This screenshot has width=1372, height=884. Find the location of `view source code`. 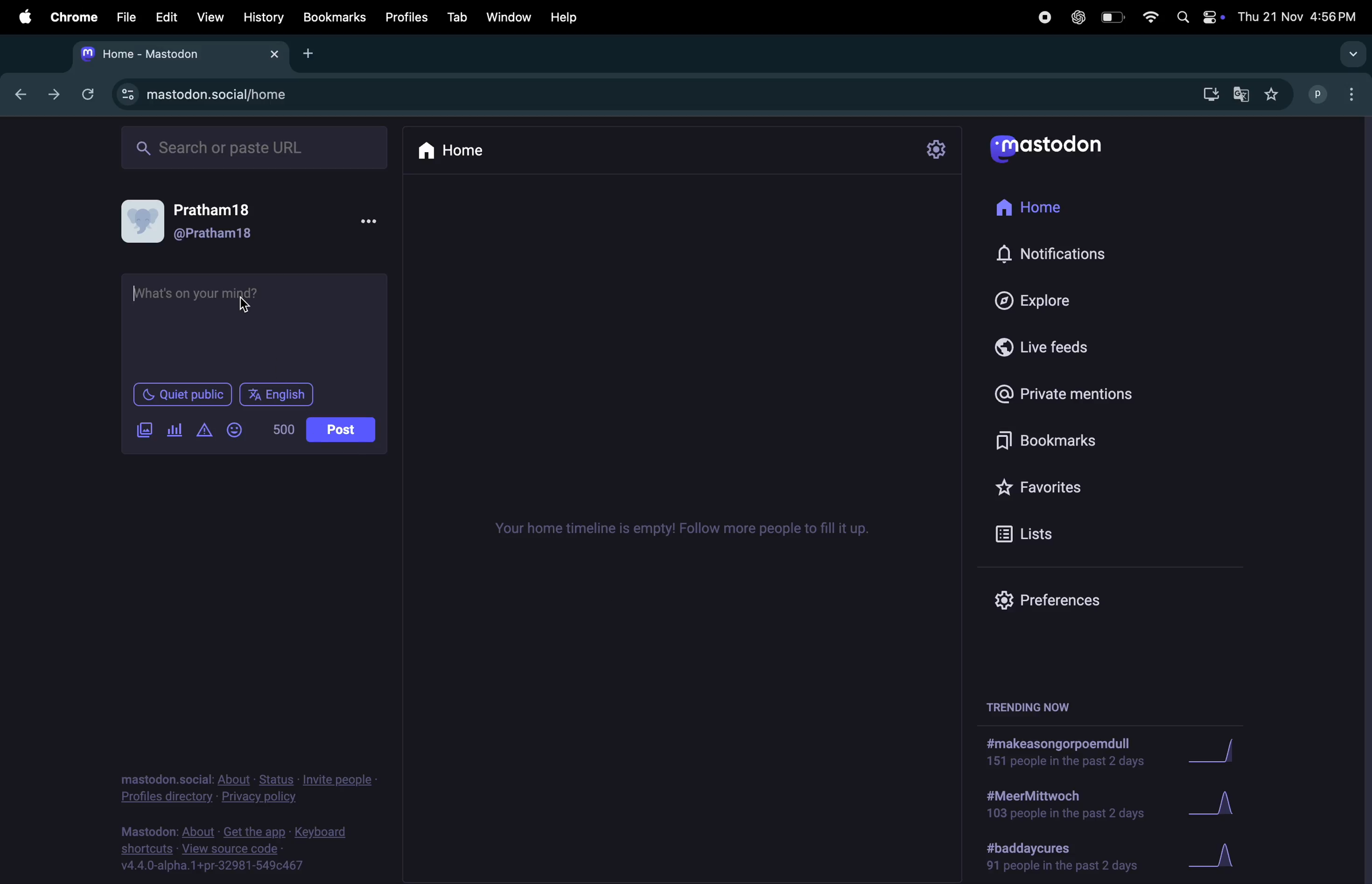

view source code is located at coordinates (230, 851).